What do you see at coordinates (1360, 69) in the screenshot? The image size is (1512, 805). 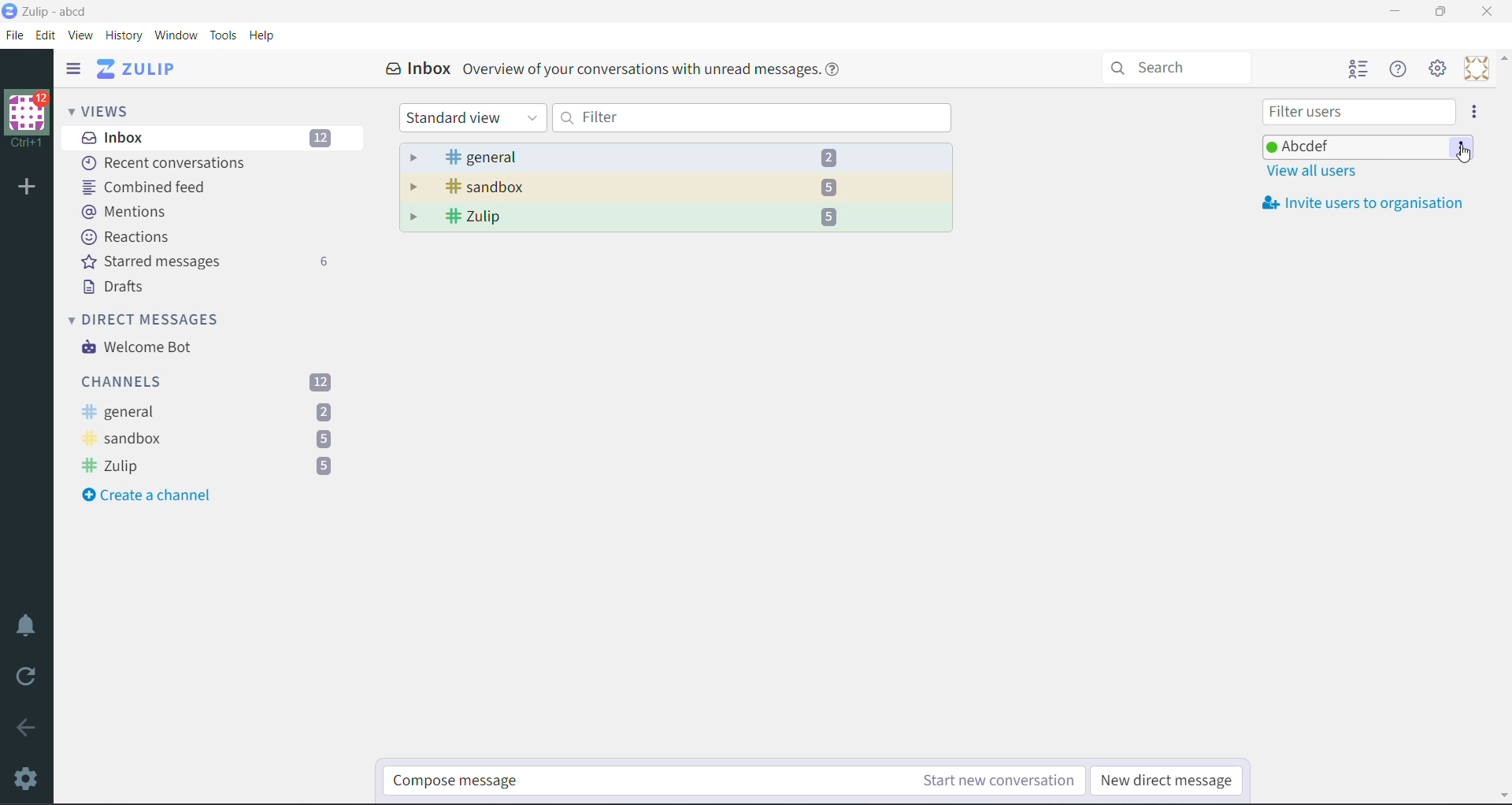 I see `Hide user list` at bounding box center [1360, 69].